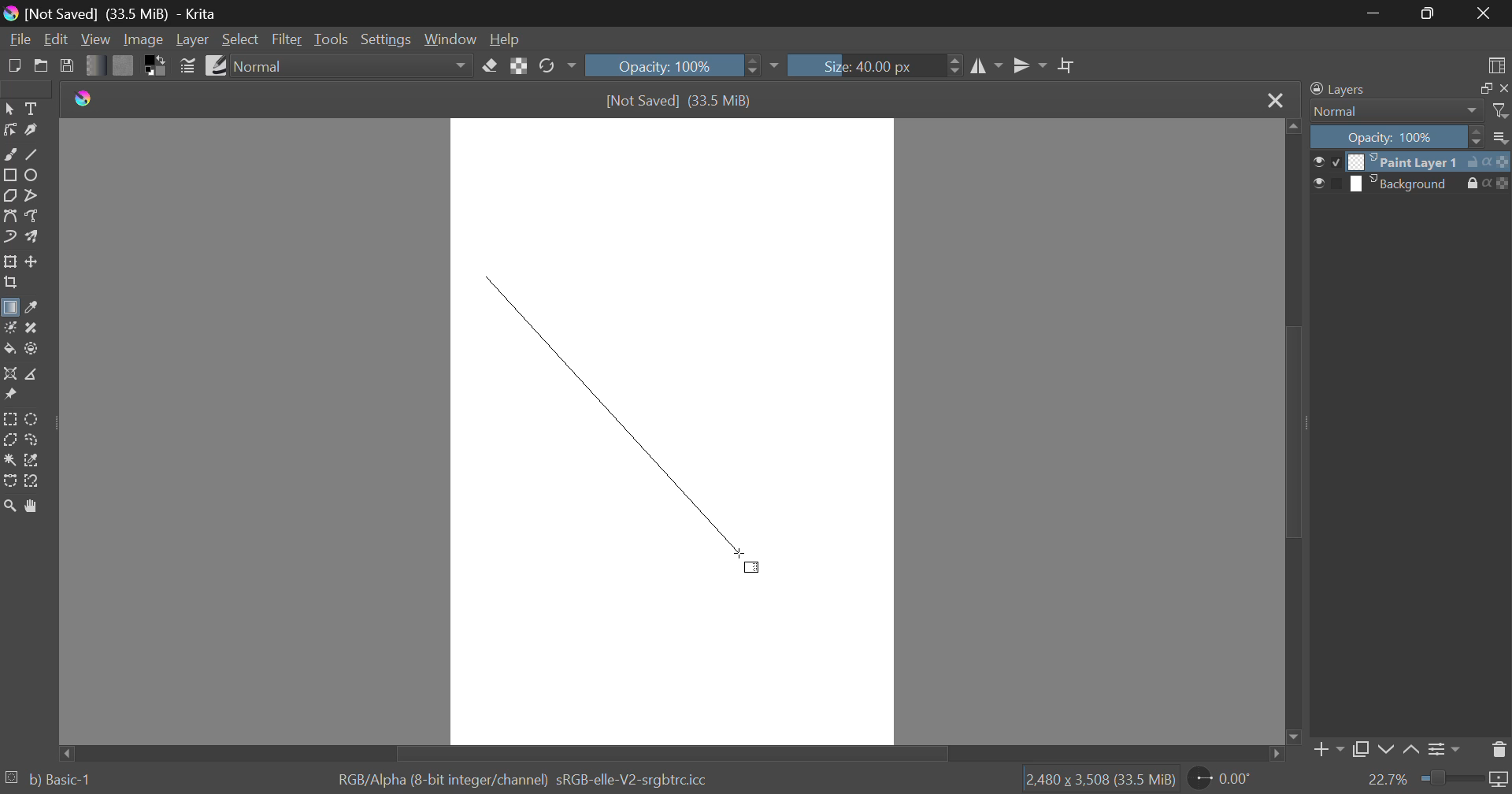 The width and height of the screenshot is (1512, 794). I want to click on Open, so click(41, 65).